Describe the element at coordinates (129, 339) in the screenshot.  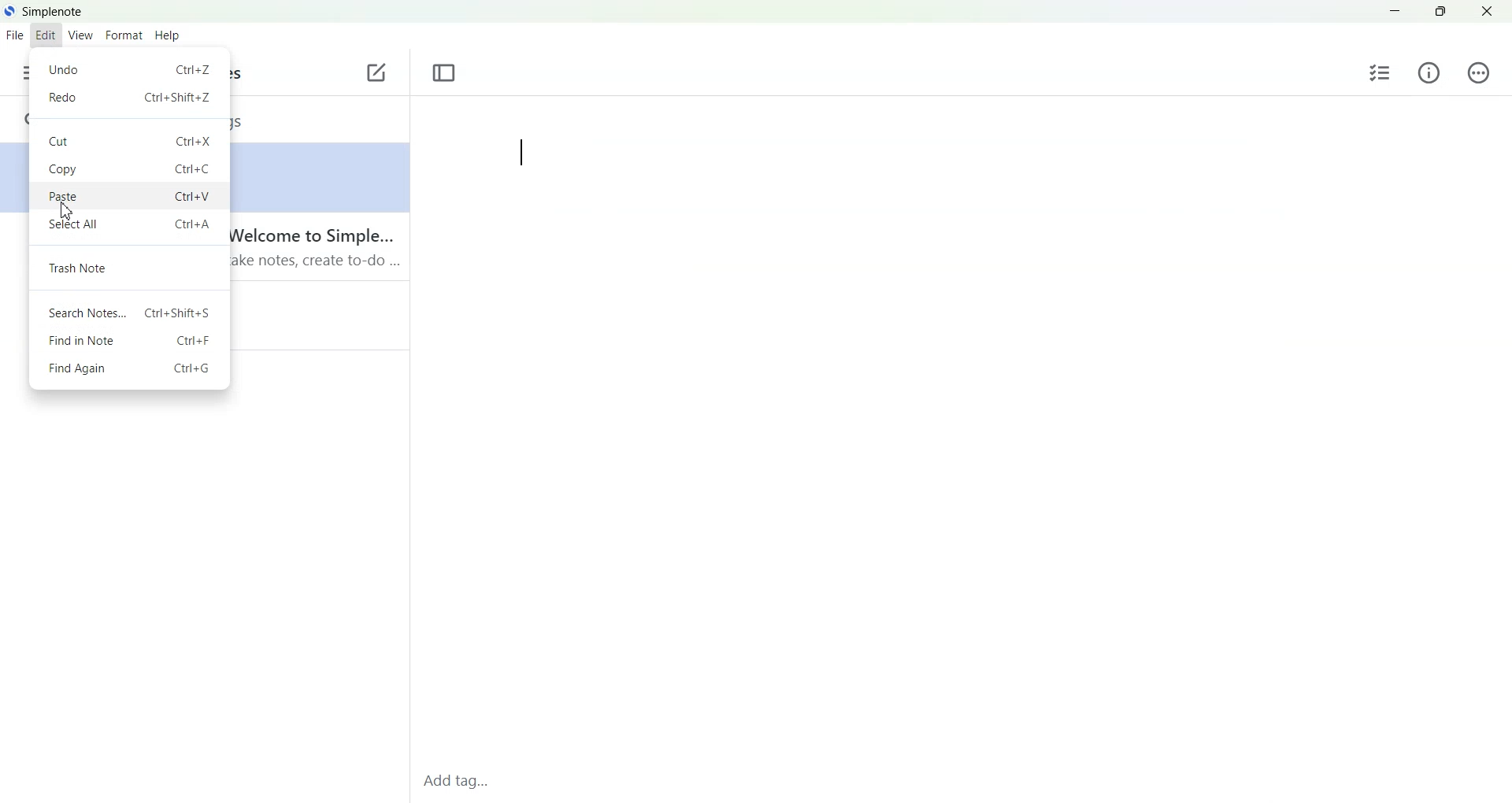
I see `Find in Notes Ctrl + F` at that location.